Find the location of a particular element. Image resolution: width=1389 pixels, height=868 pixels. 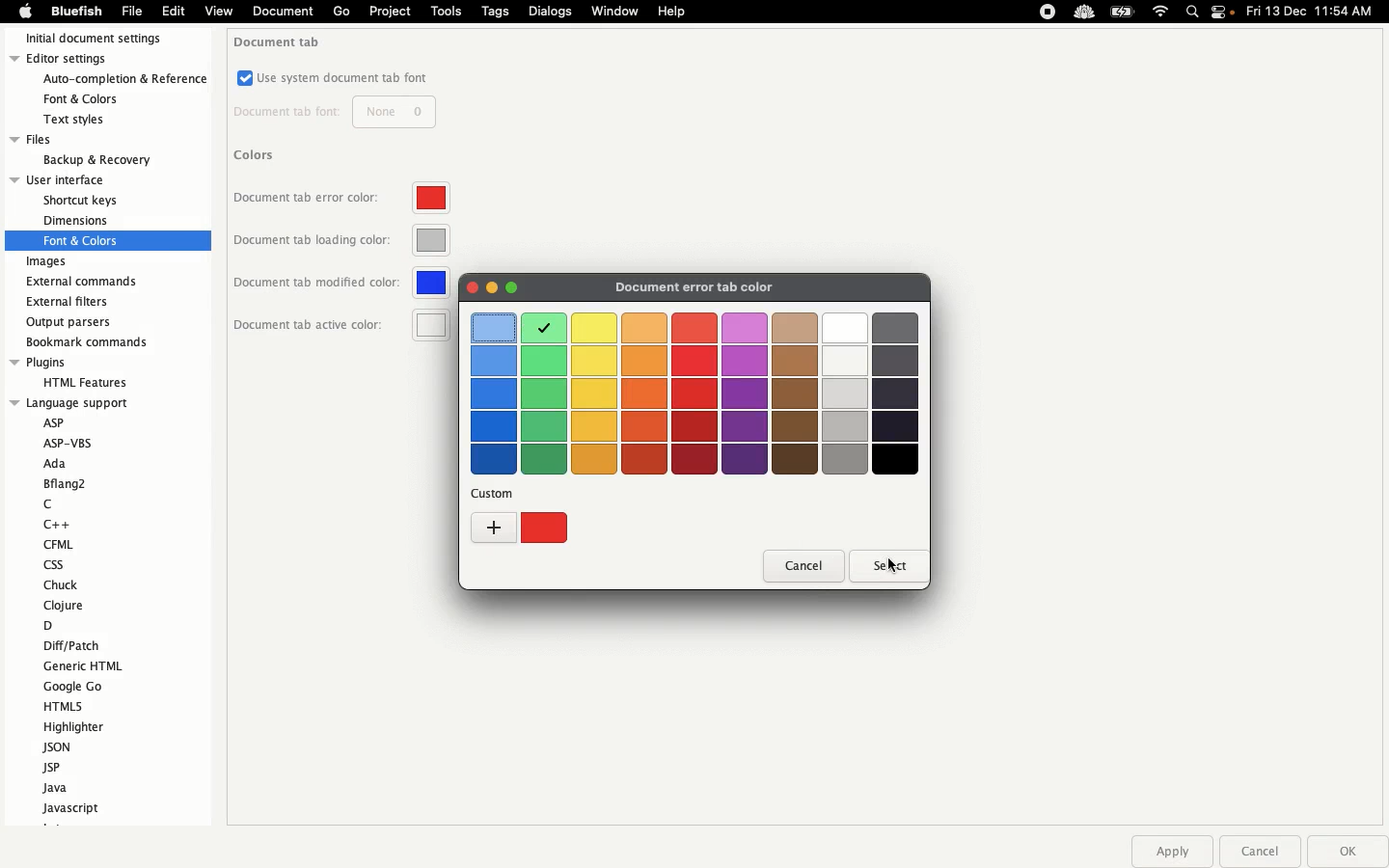

Project is located at coordinates (389, 12).